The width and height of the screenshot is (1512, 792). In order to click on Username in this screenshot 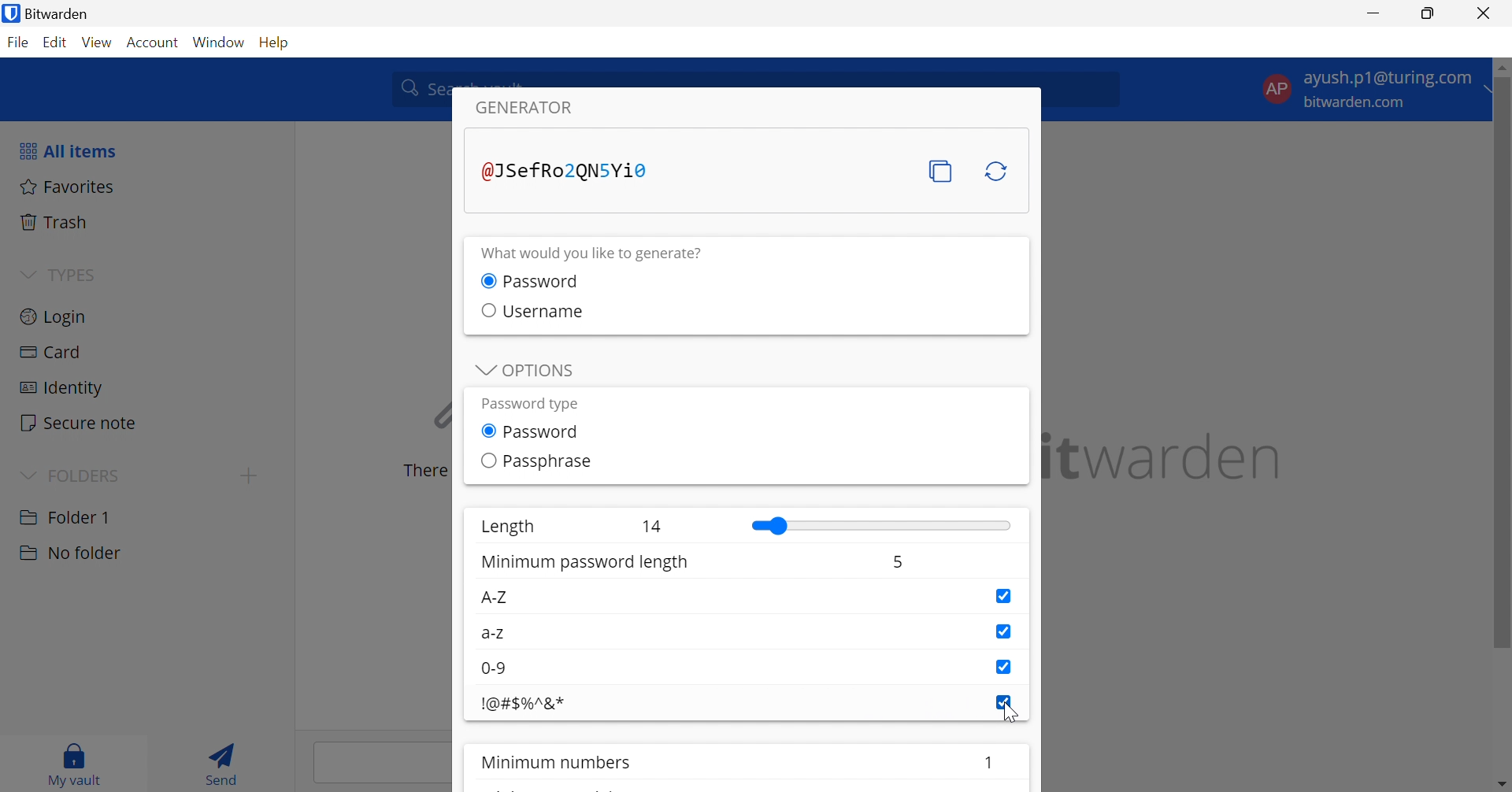, I will do `click(543, 310)`.